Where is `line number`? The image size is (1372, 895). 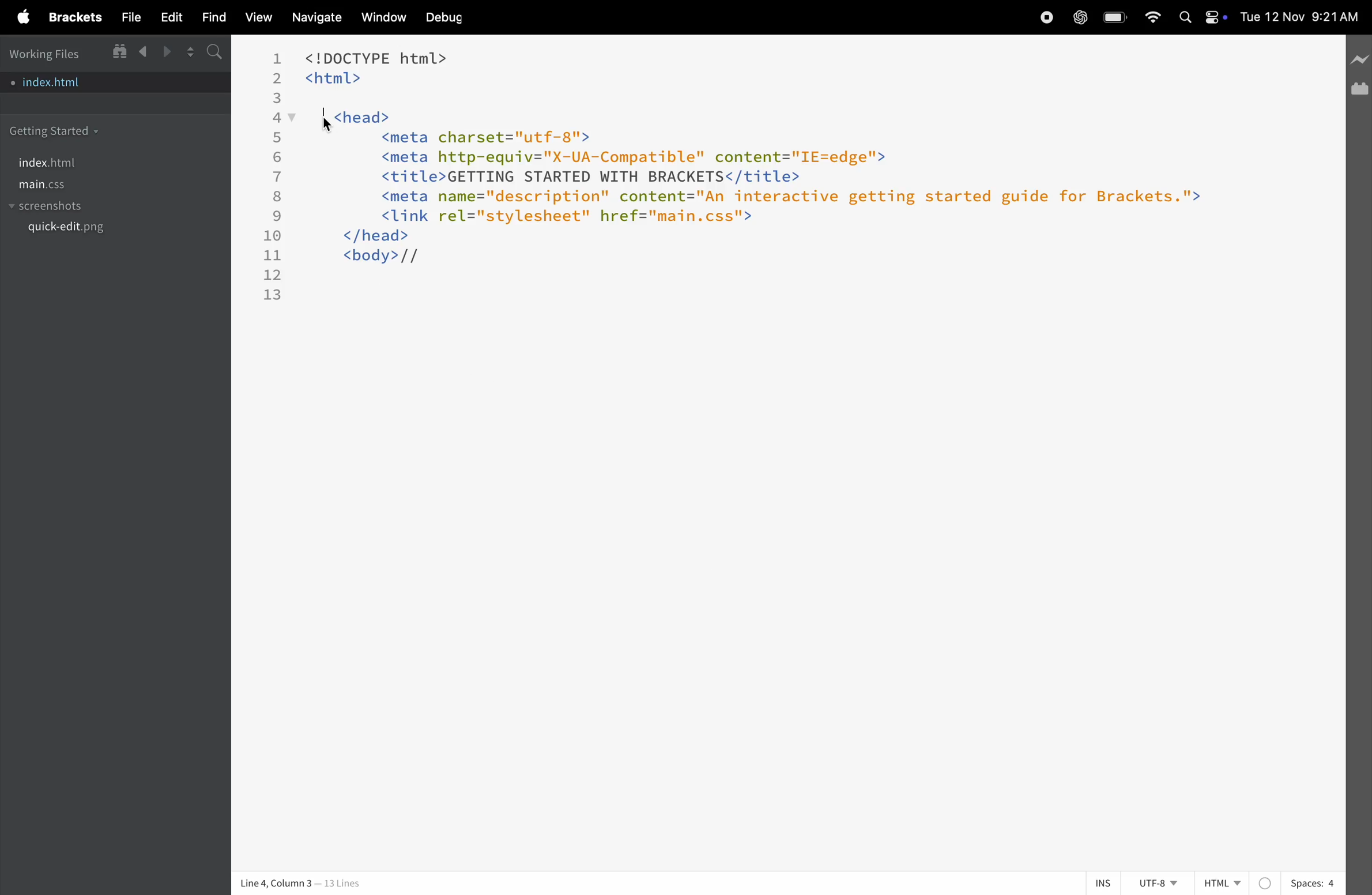
line number is located at coordinates (278, 175).